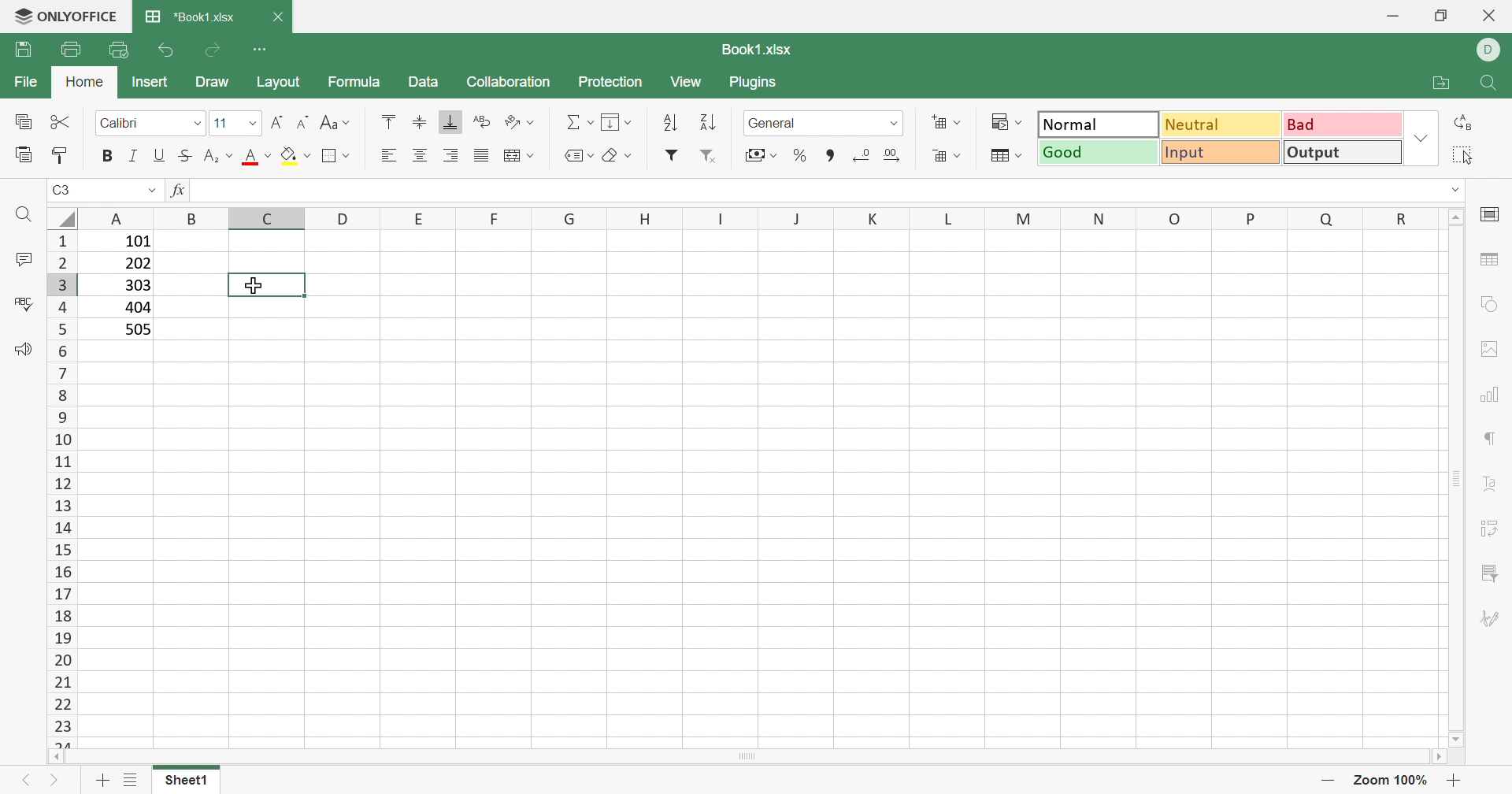 This screenshot has height=794, width=1512. What do you see at coordinates (521, 154) in the screenshot?
I see `Merge and center` at bounding box center [521, 154].